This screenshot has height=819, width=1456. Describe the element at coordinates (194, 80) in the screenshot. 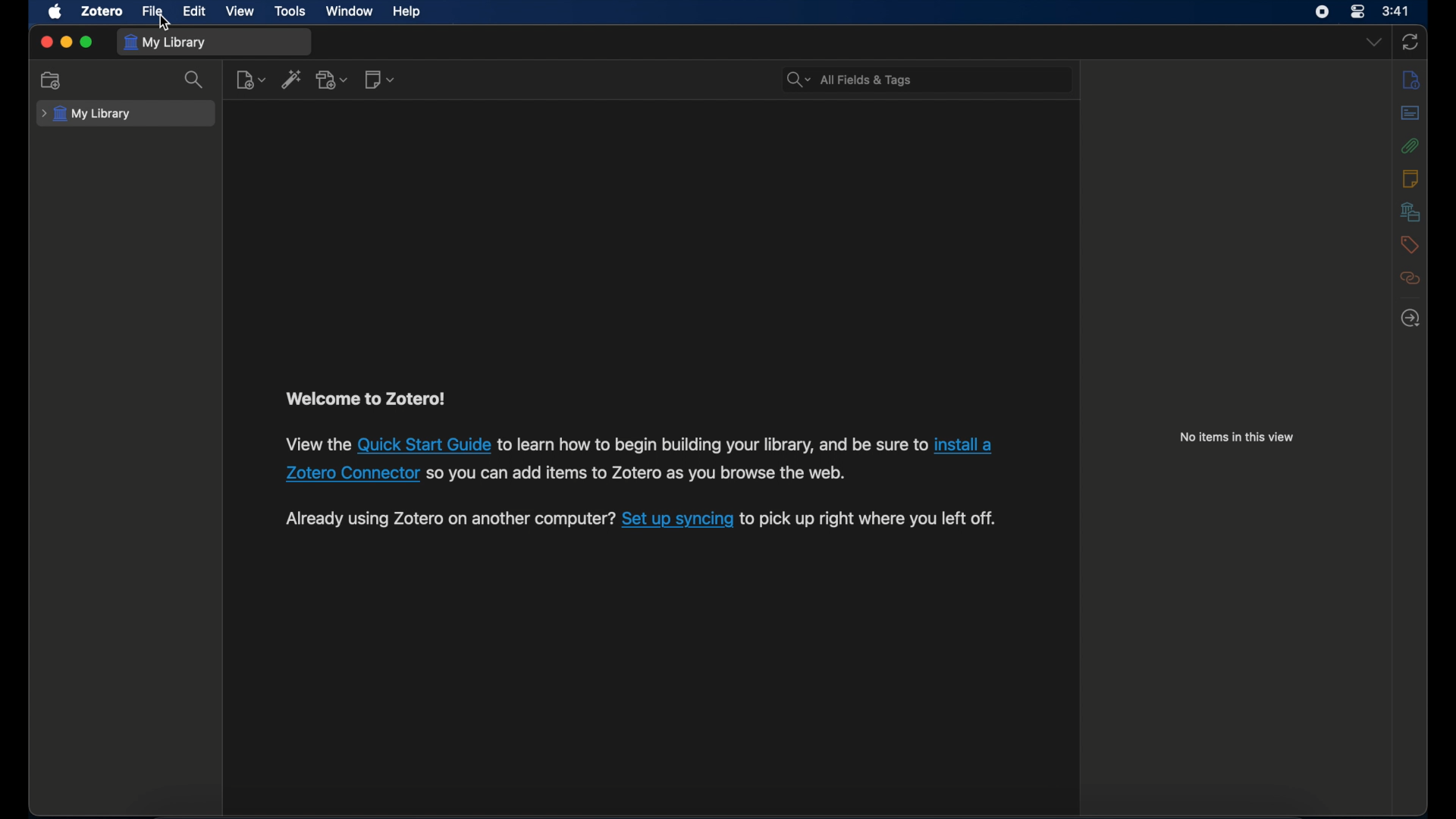

I see `search` at that location.